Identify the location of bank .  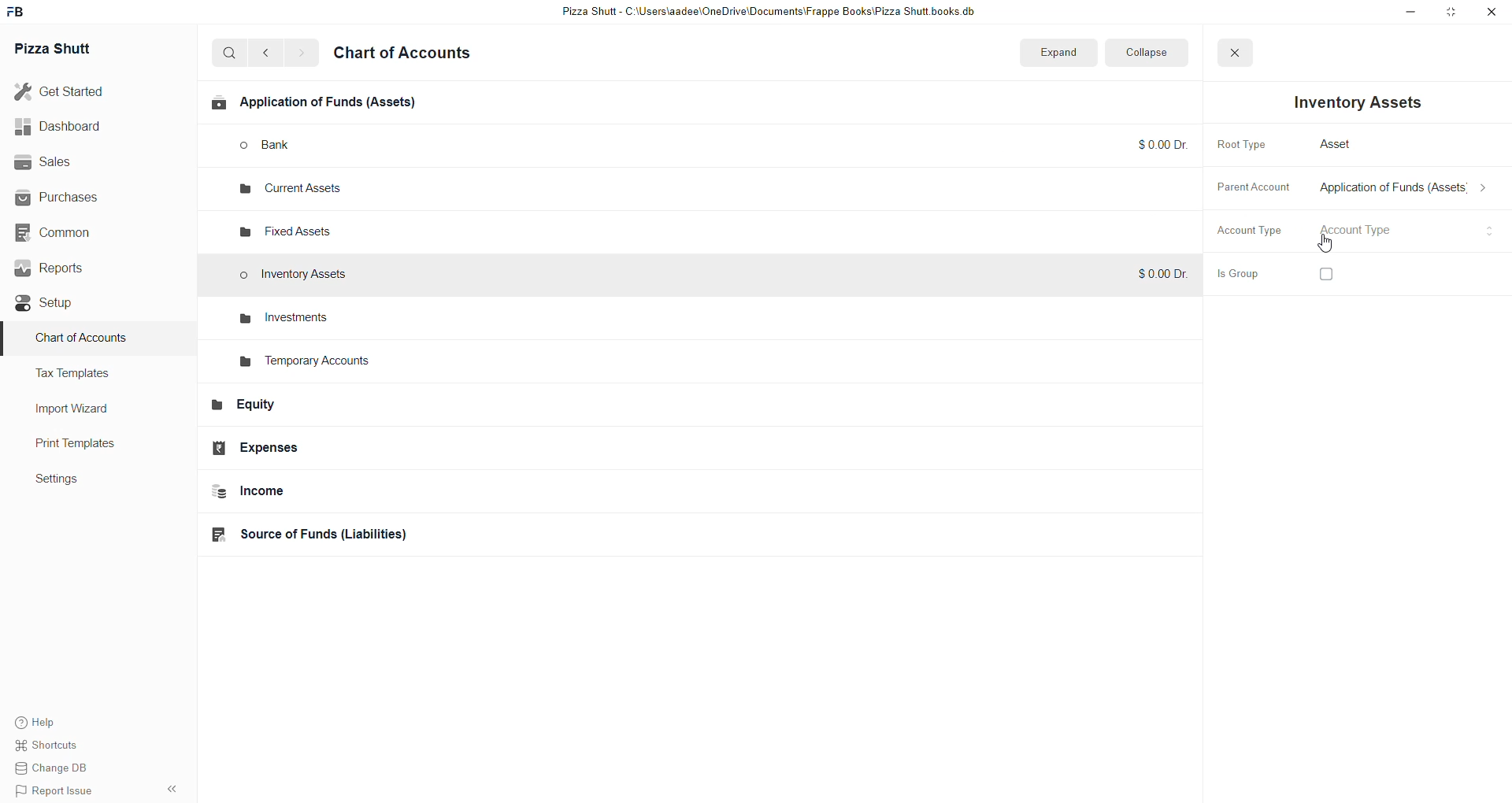
(290, 146).